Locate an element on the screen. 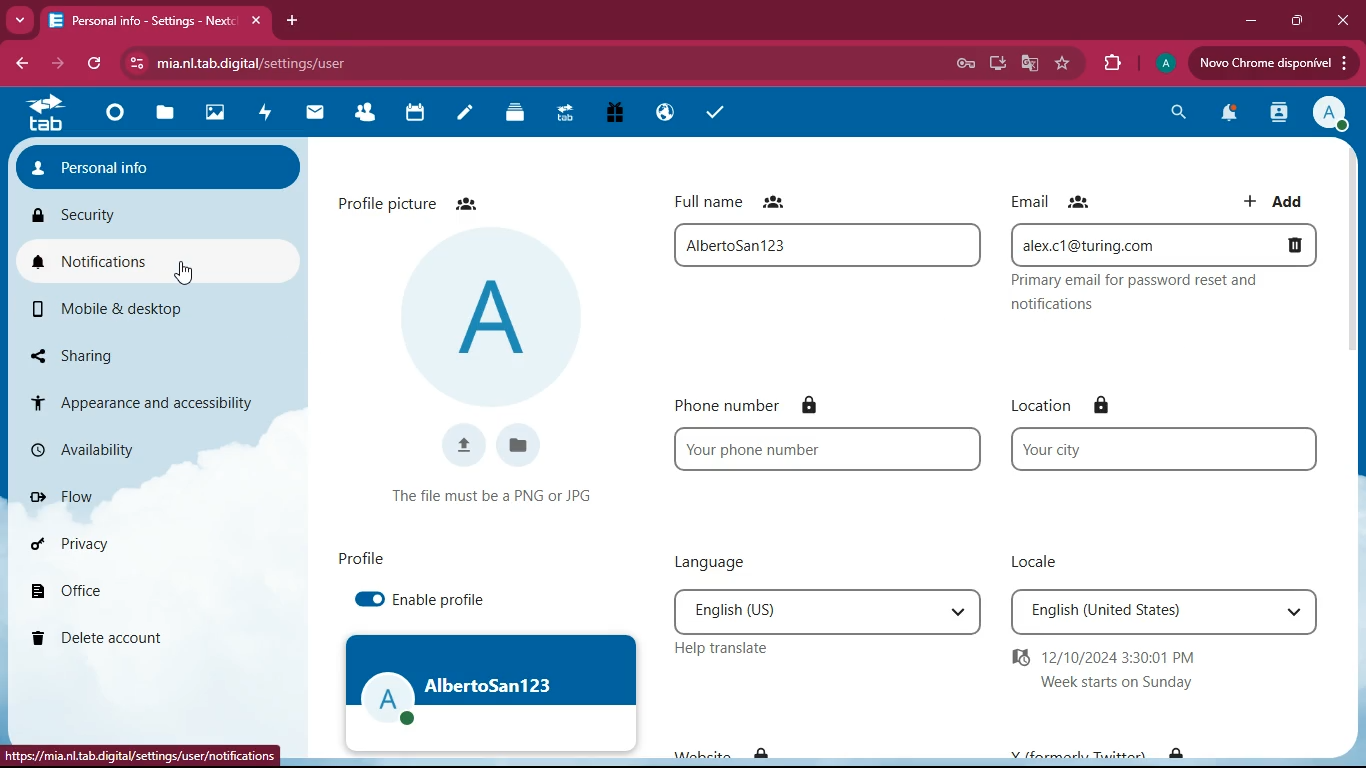  extensions is located at coordinates (1113, 61).